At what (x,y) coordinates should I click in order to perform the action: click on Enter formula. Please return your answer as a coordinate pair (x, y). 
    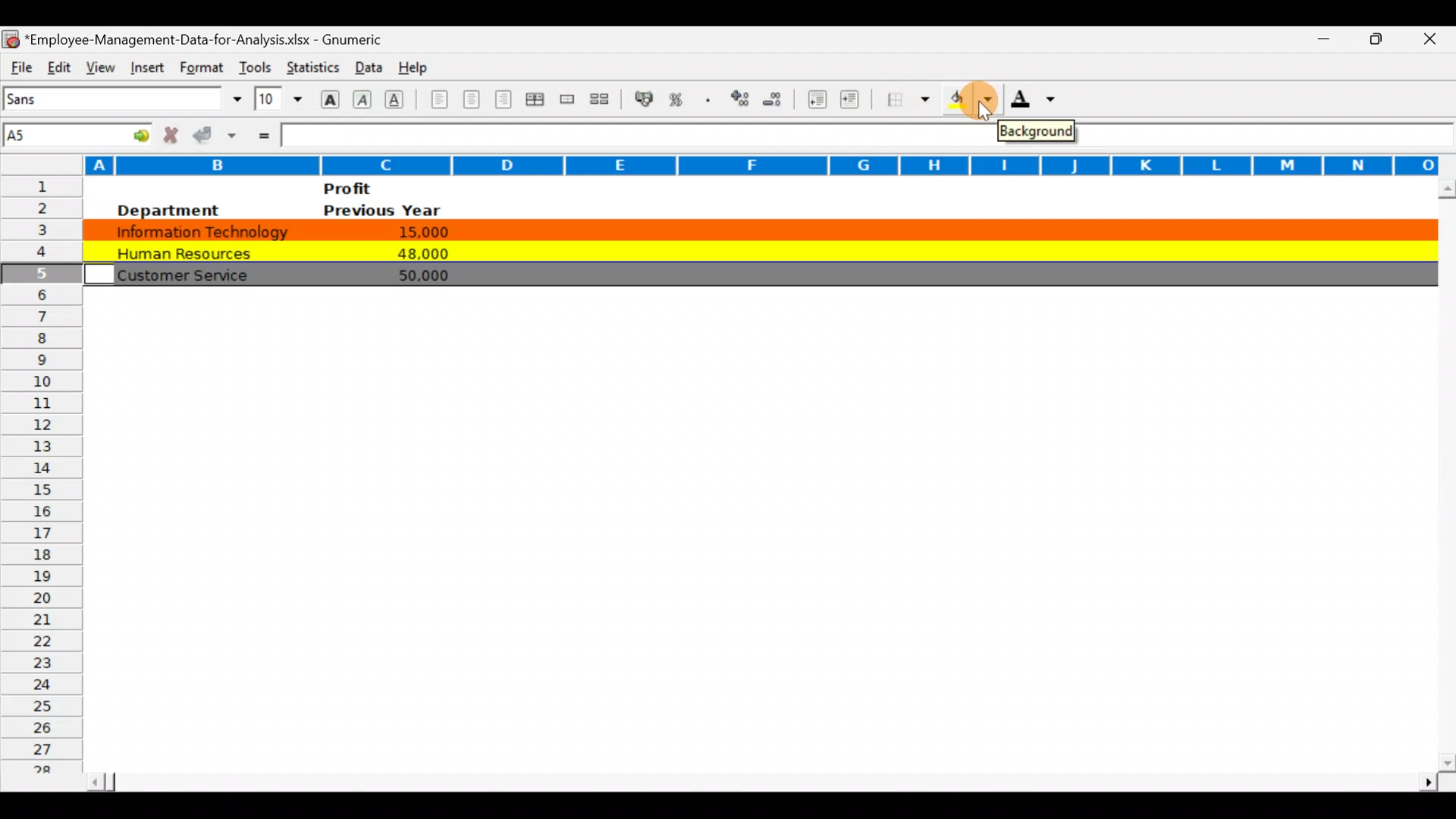
    Looking at the image, I should click on (262, 134).